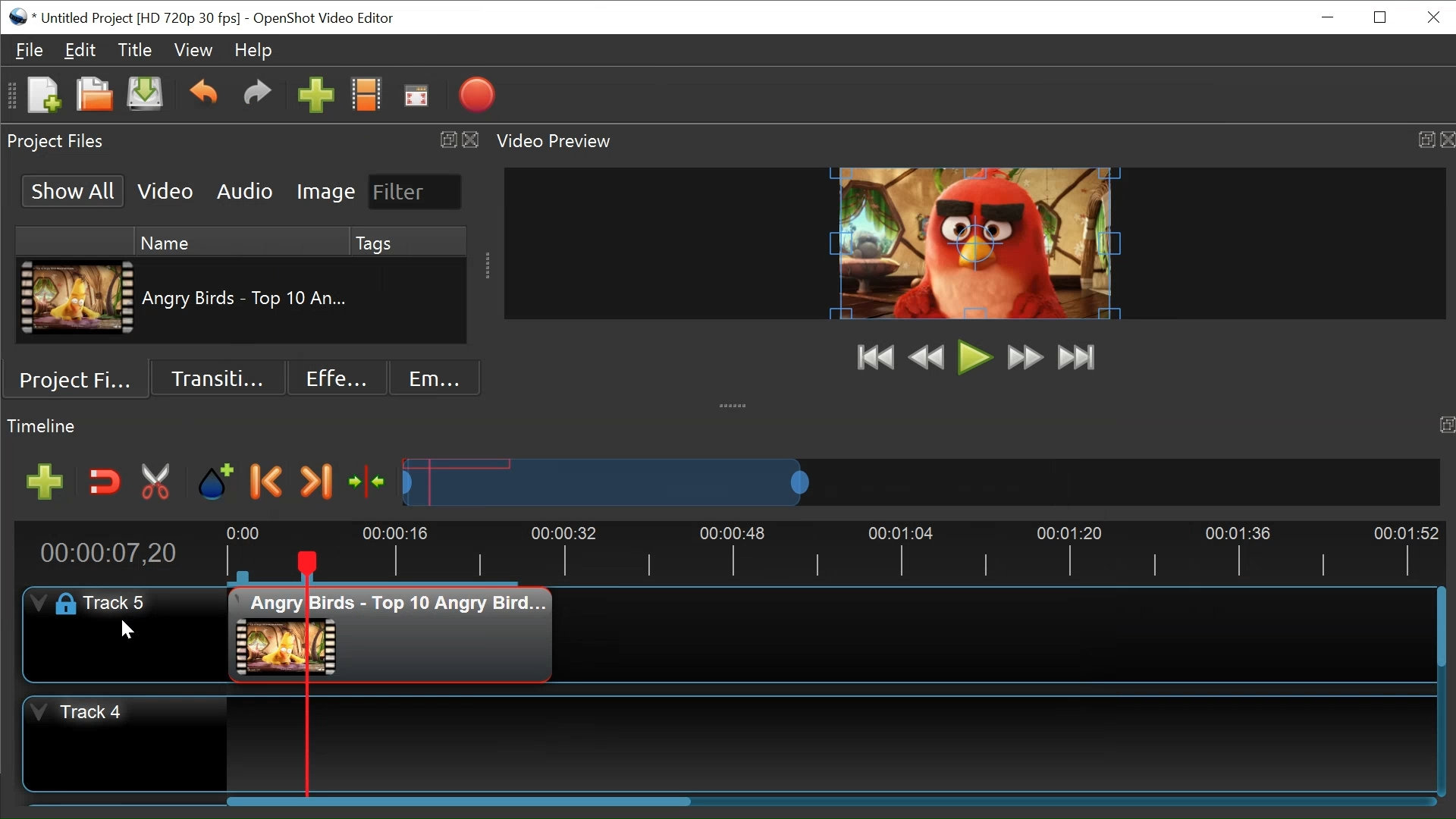  What do you see at coordinates (71, 191) in the screenshot?
I see `Show All` at bounding box center [71, 191].